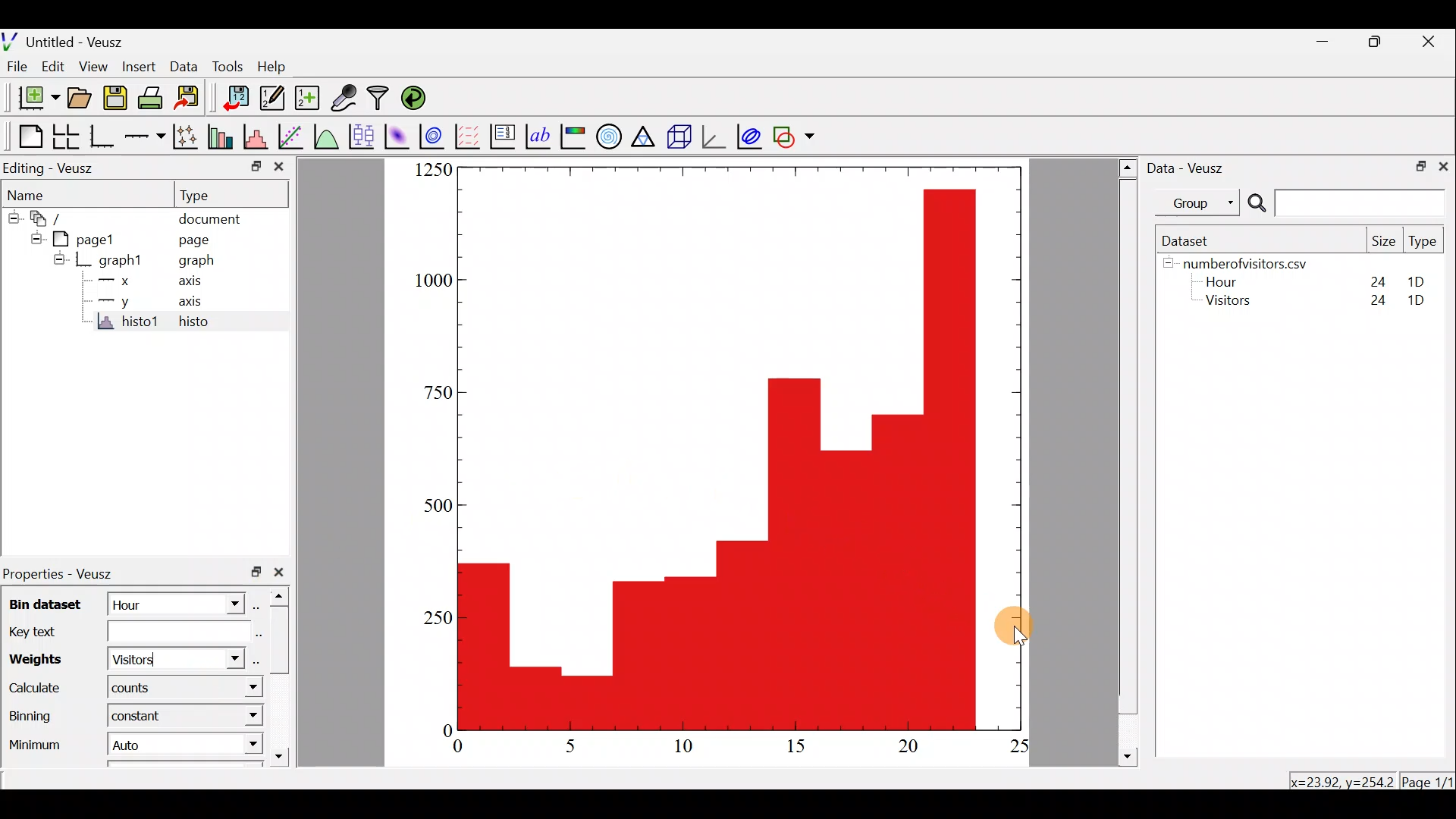 The image size is (1456, 819). Describe the element at coordinates (50, 605) in the screenshot. I see `Bin dataset` at that location.